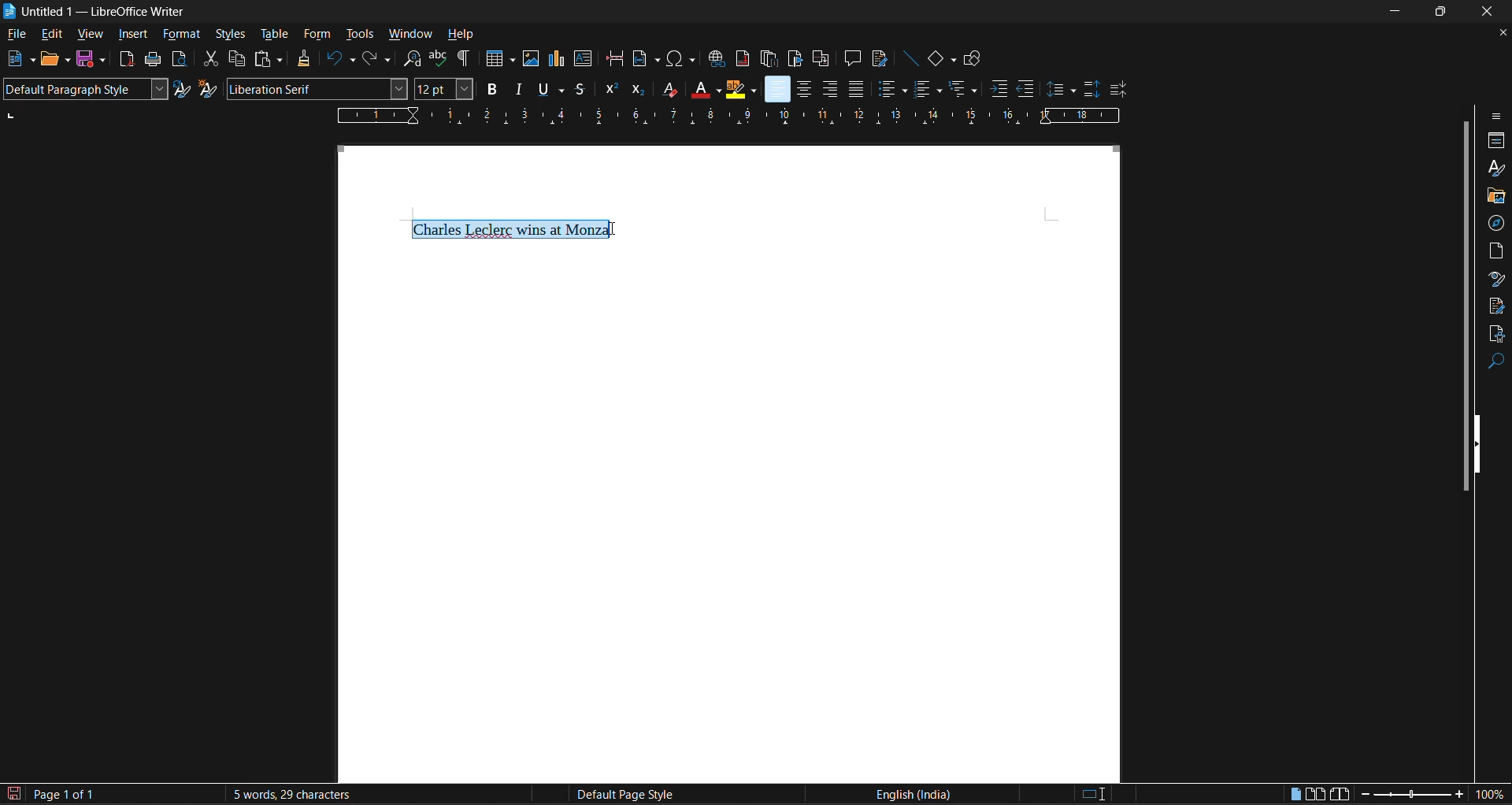  What do you see at coordinates (517, 88) in the screenshot?
I see `italic` at bounding box center [517, 88].